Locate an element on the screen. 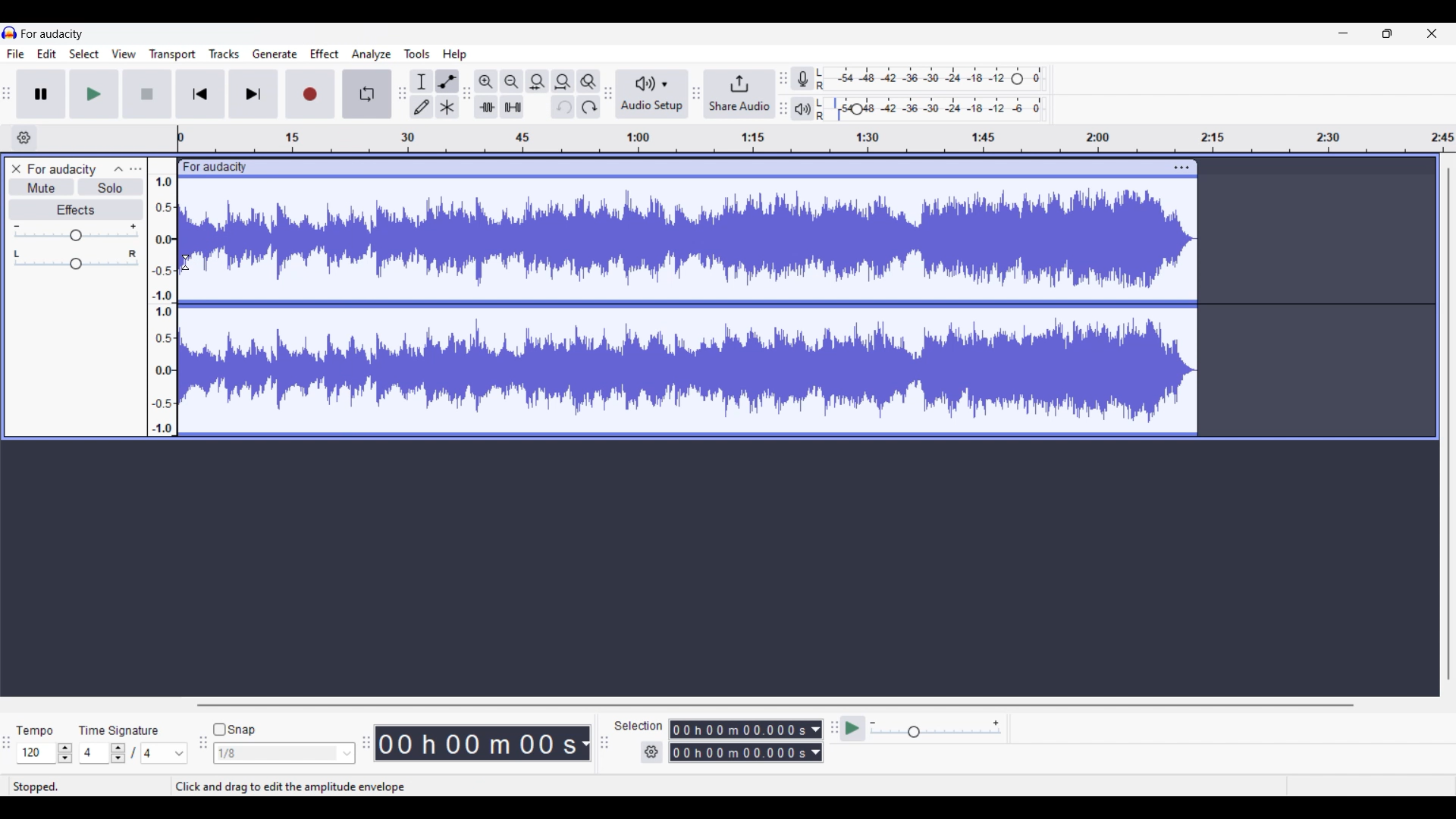 The height and width of the screenshot is (819, 1456). Edit is located at coordinates (47, 53).